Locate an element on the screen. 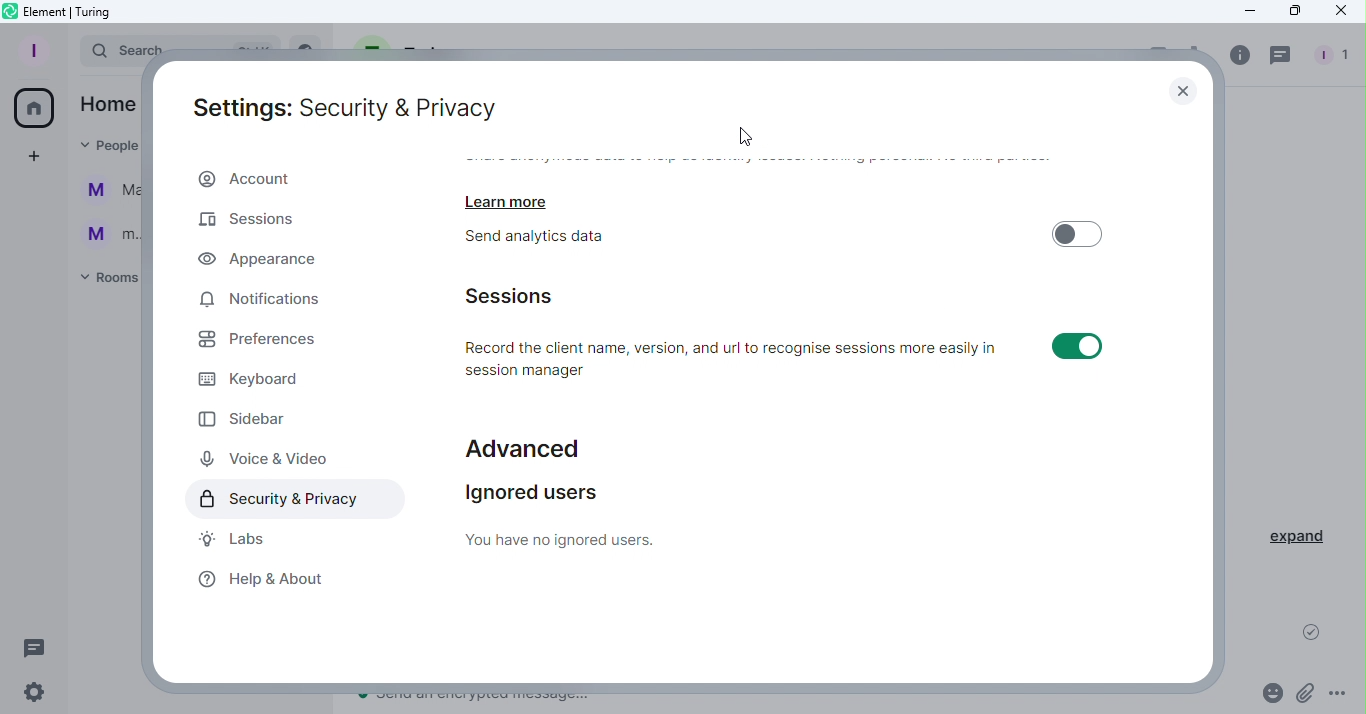 The width and height of the screenshot is (1366, 714). Settings is located at coordinates (40, 695).